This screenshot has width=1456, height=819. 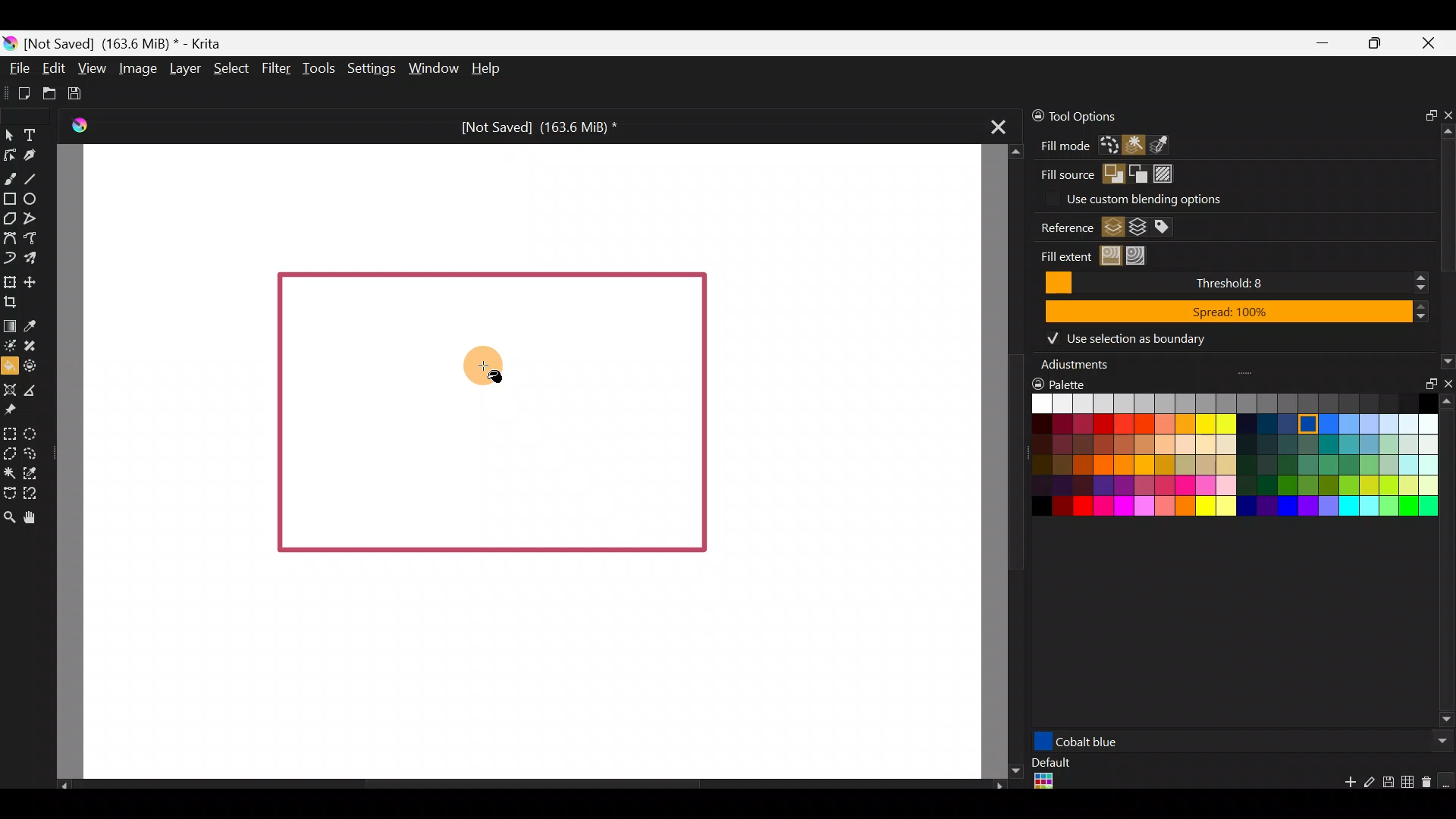 I want to click on Pattern, so click(x=1164, y=170).